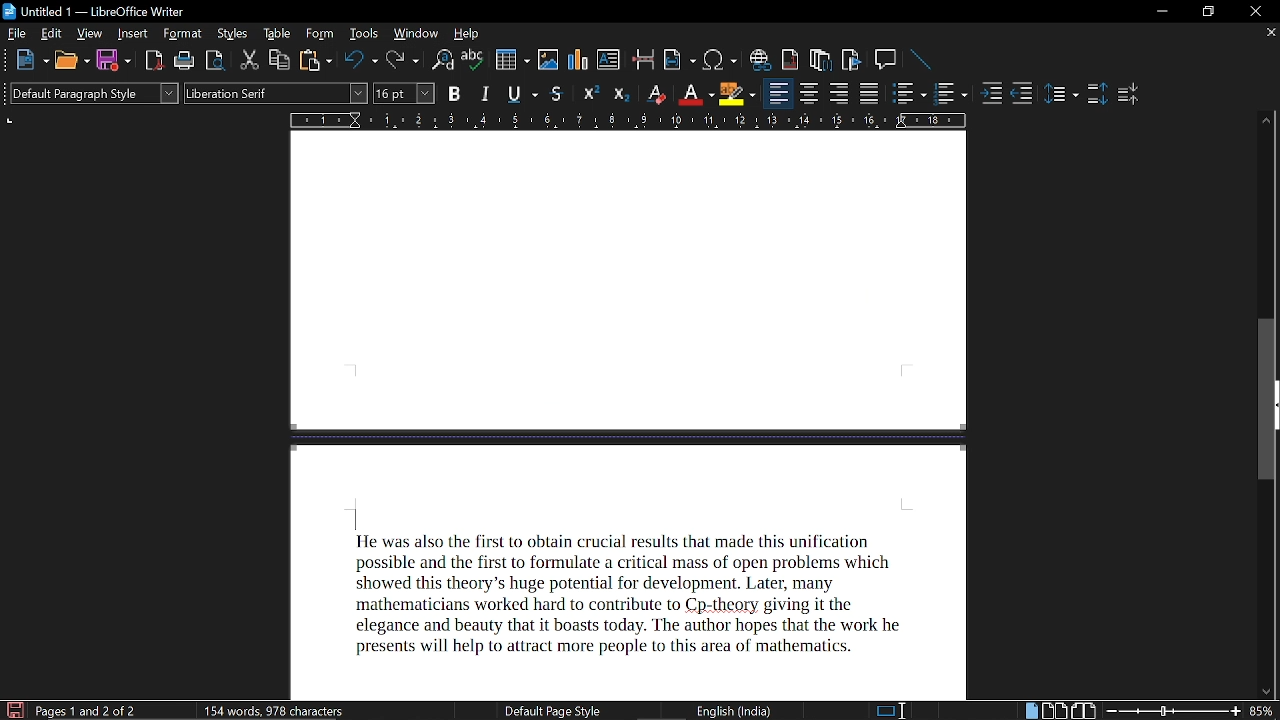 The image size is (1280, 720). I want to click on Justified, so click(871, 93).